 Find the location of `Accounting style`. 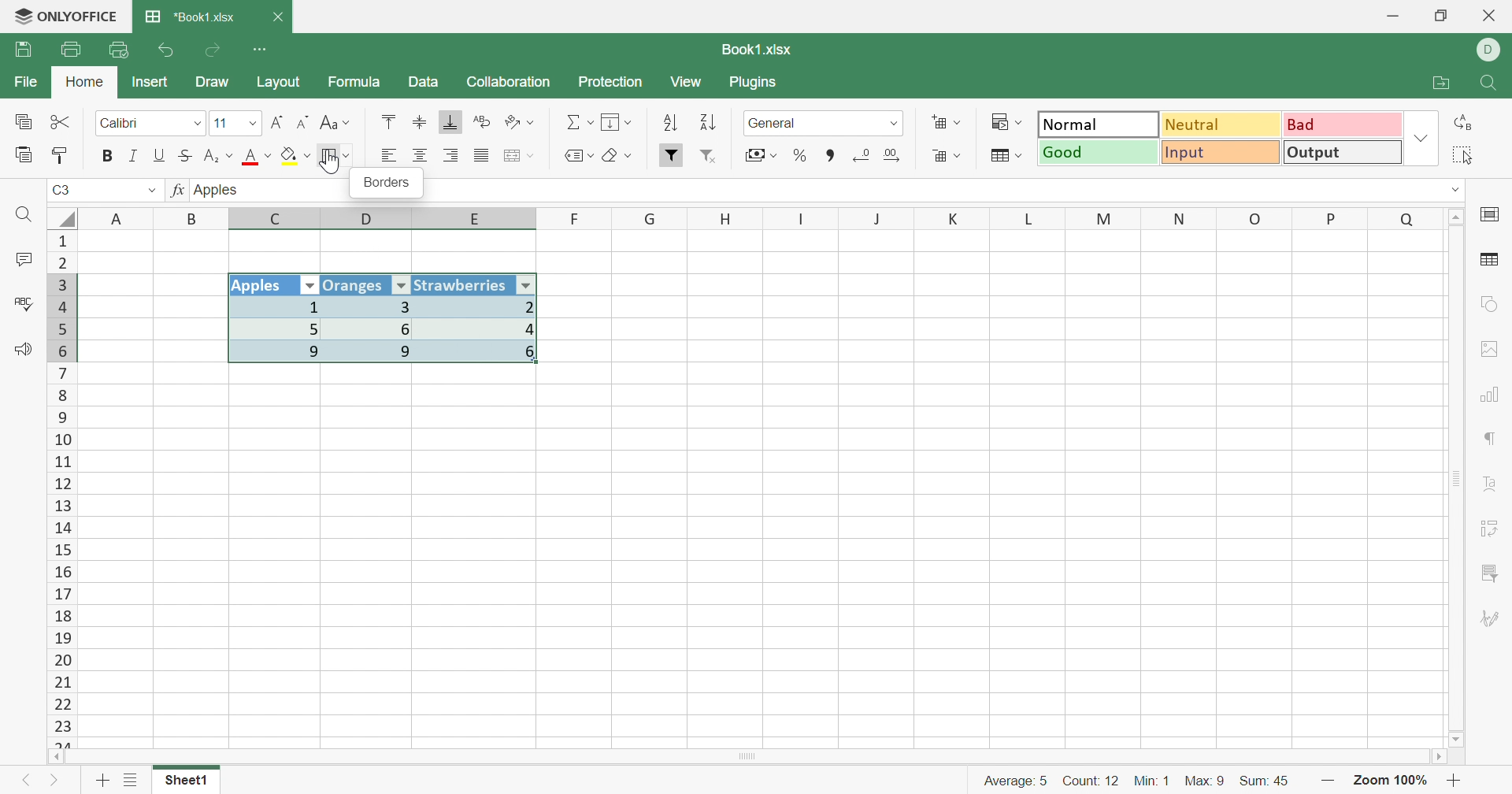

Accounting style is located at coordinates (759, 157).